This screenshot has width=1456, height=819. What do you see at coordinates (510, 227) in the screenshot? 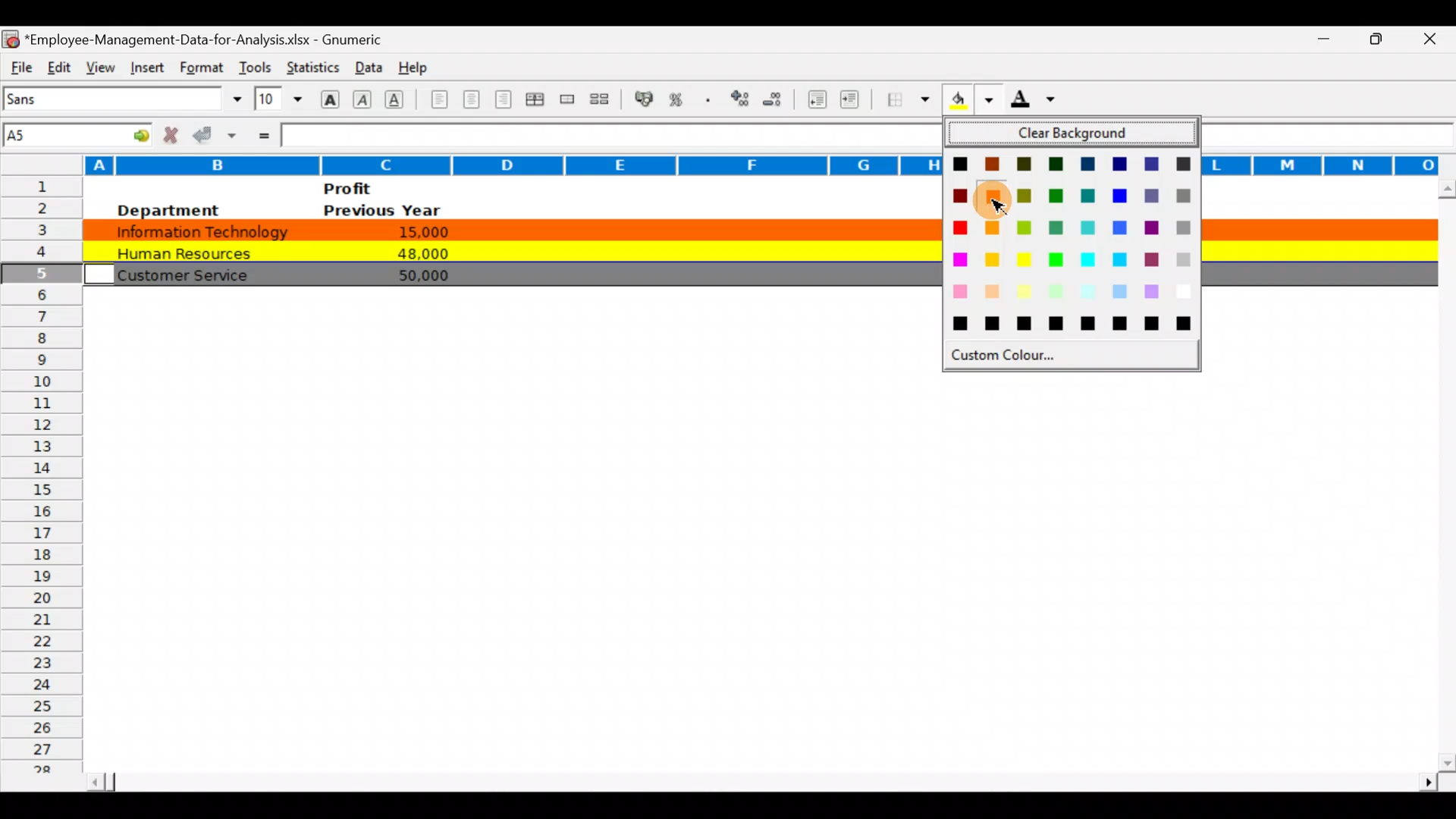
I see `Selected row 3 of data highlighted with color` at bounding box center [510, 227].